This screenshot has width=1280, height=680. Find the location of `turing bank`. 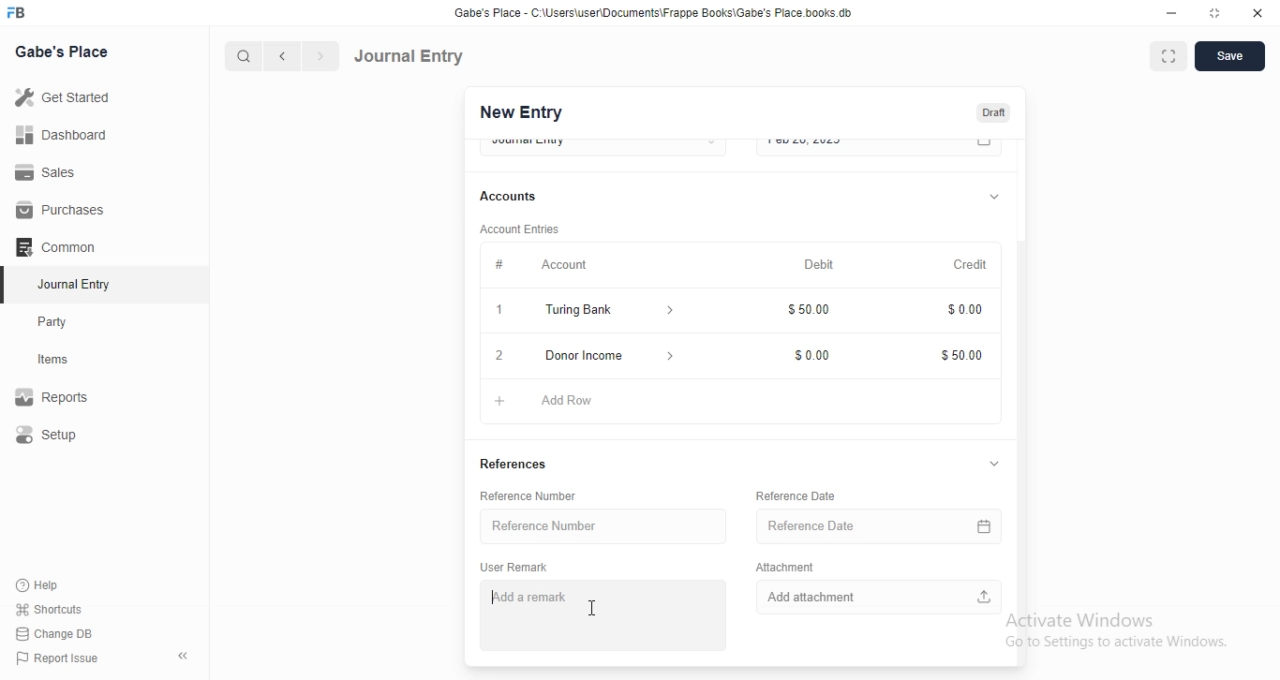

turing bank is located at coordinates (605, 312).